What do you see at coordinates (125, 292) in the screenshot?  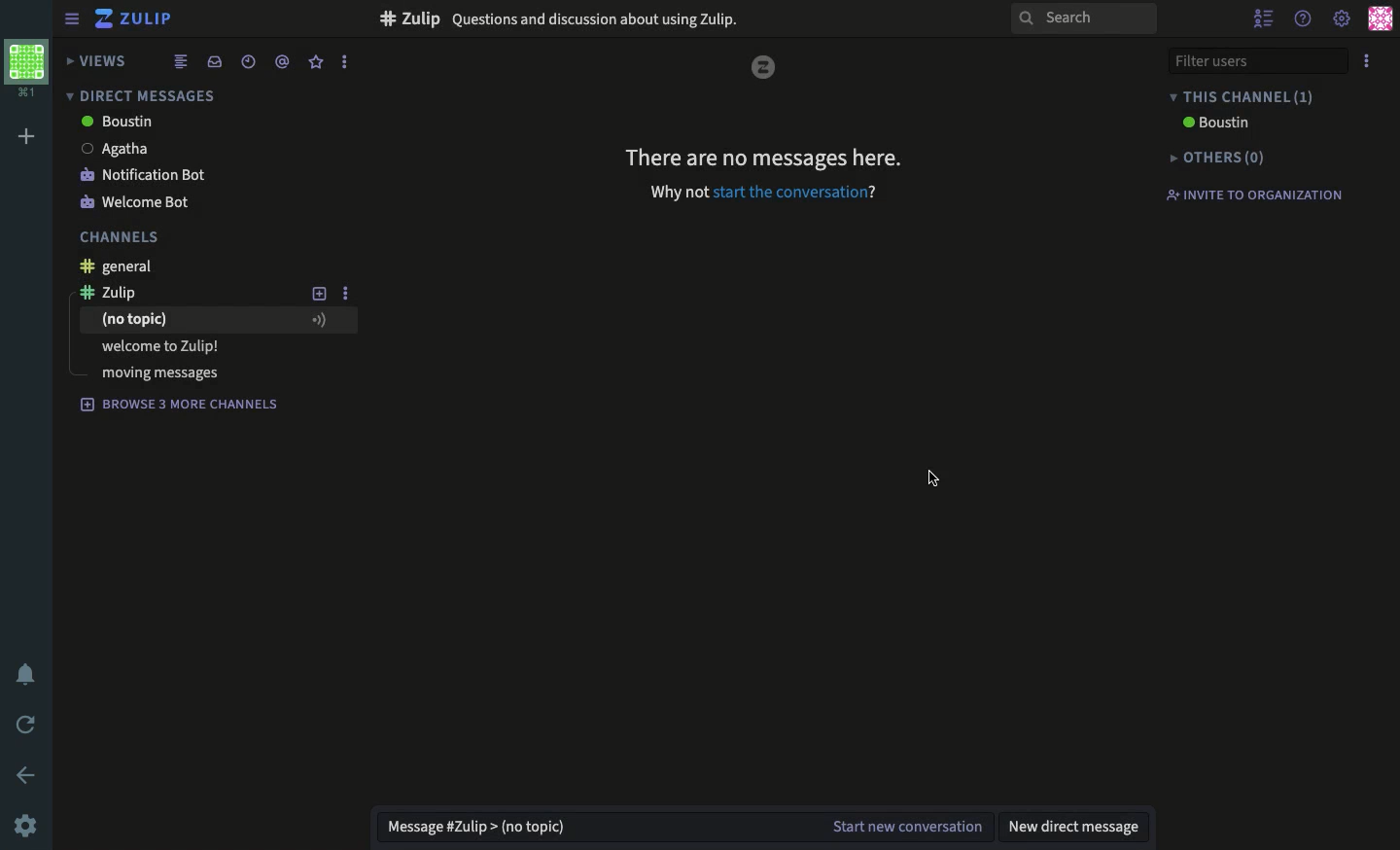 I see `zulip` at bounding box center [125, 292].